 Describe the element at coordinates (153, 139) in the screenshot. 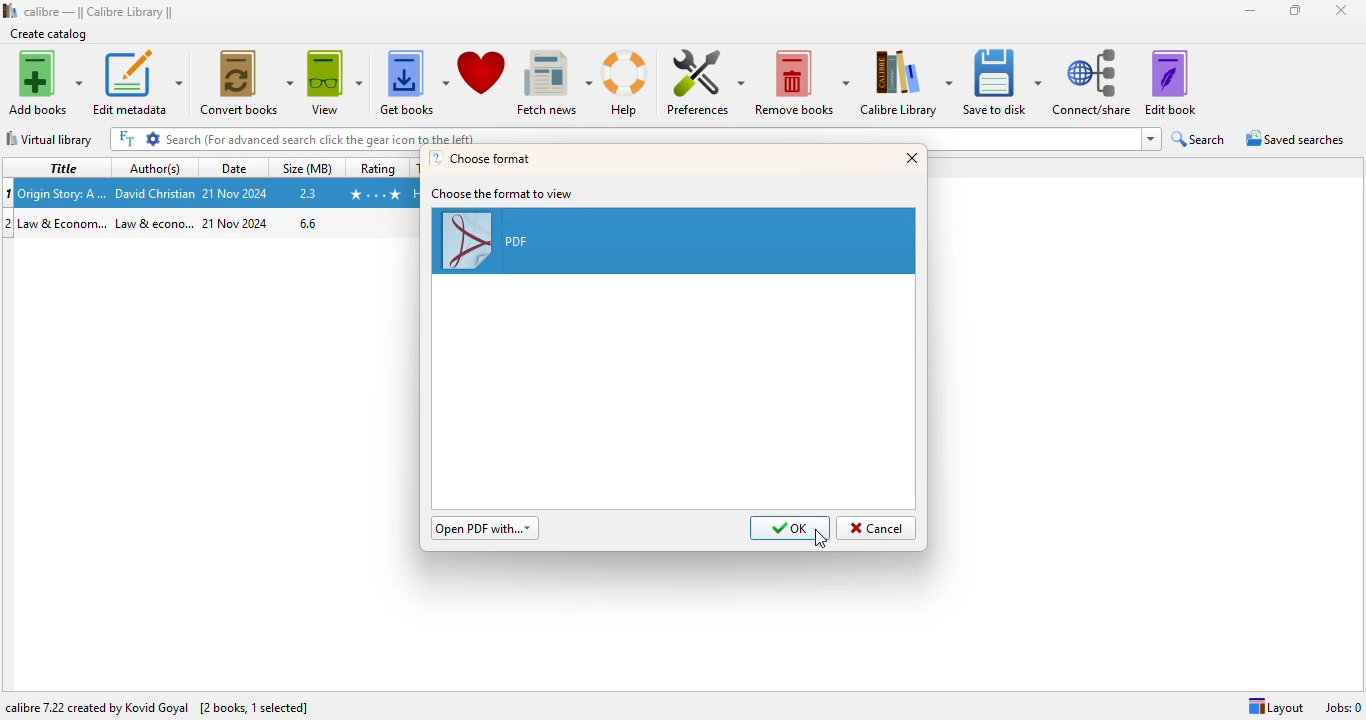

I see `settings` at that location.